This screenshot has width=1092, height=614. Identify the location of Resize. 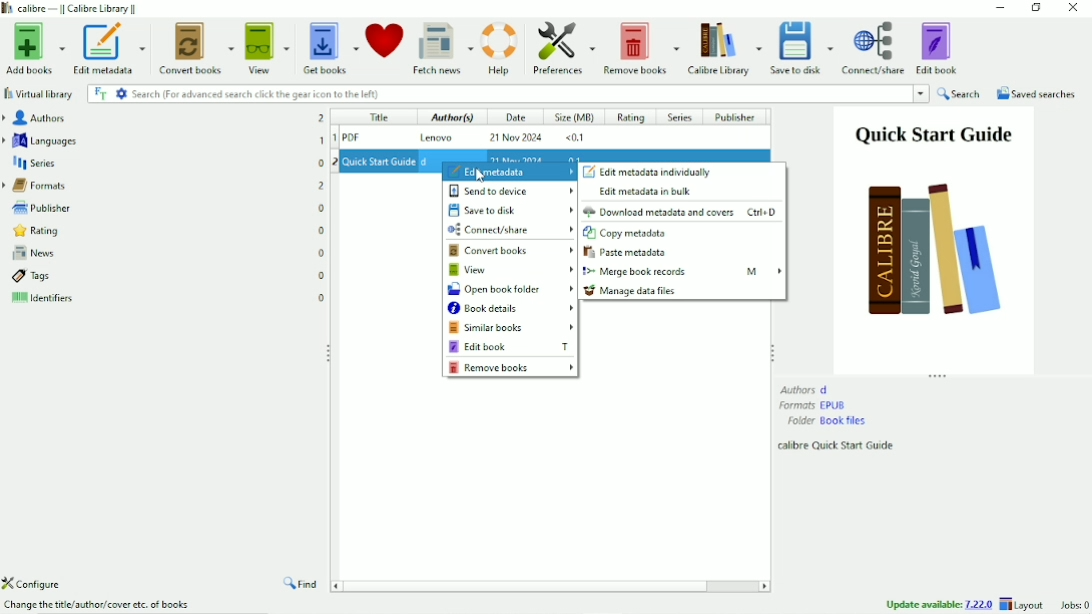
(939, 376).